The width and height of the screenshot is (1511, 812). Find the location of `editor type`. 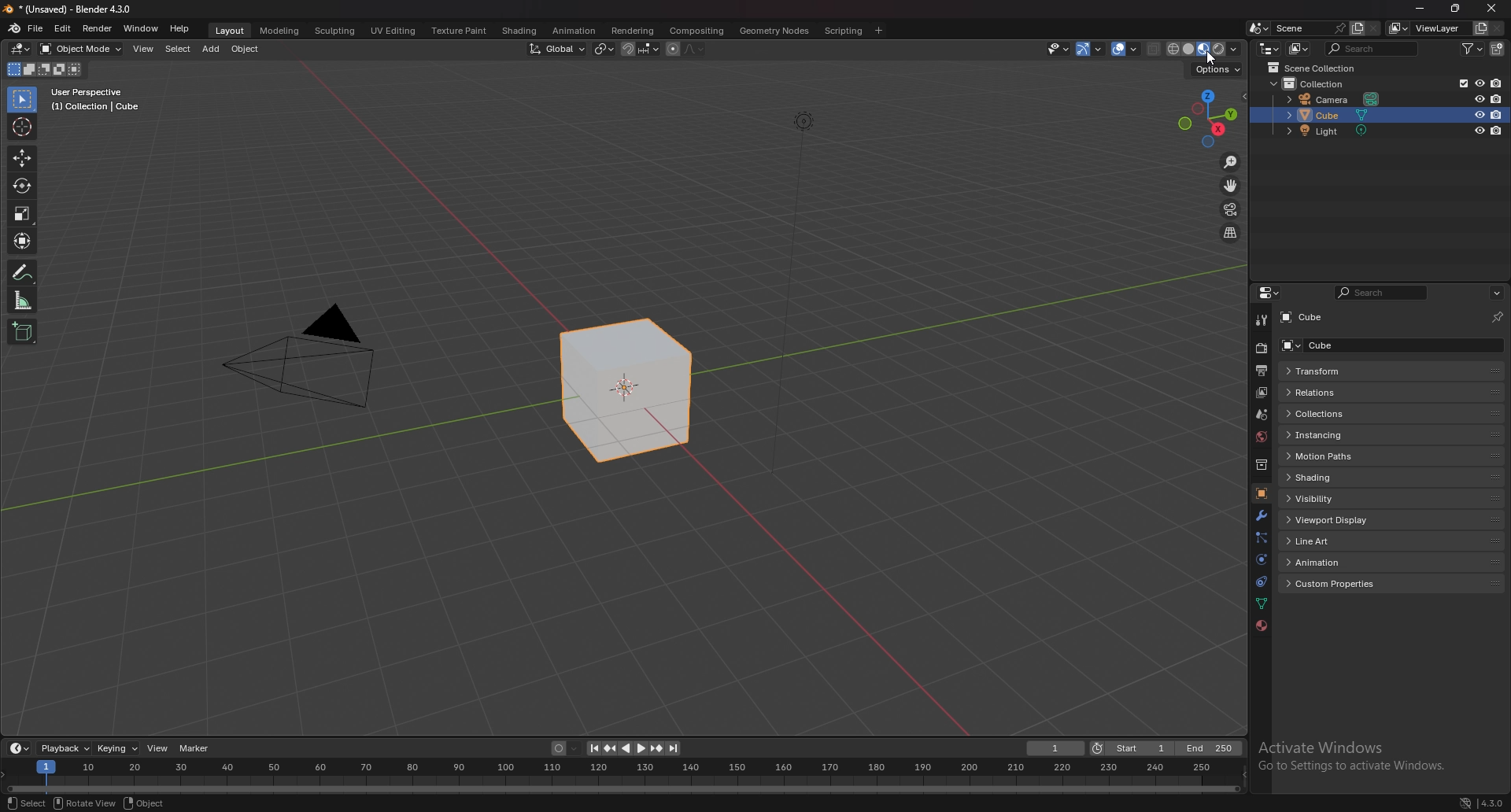

editor type is located at coordinates (1271, 293).